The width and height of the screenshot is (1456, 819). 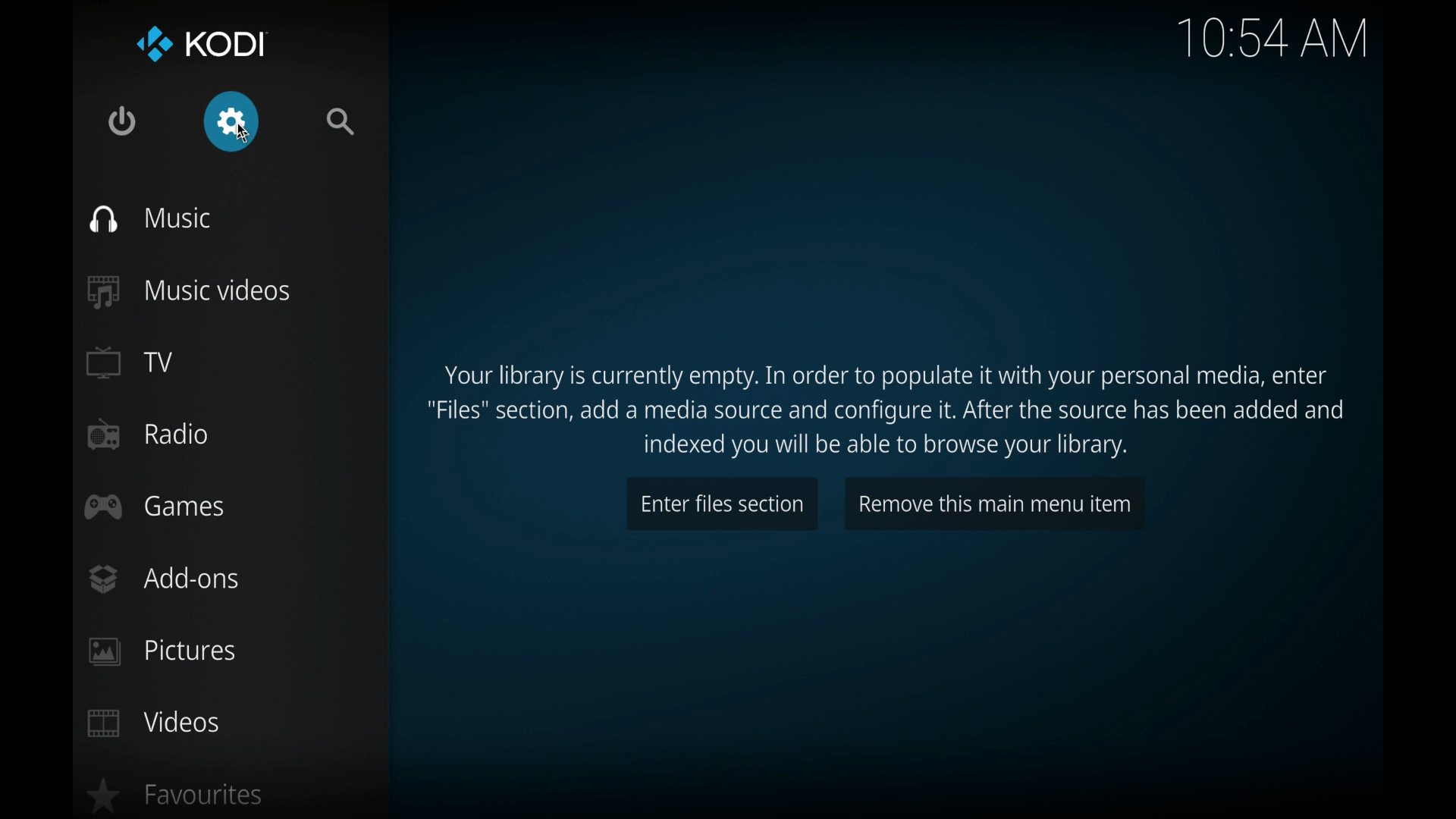 I want to click on quit kodi, so click(x=123, y=122).